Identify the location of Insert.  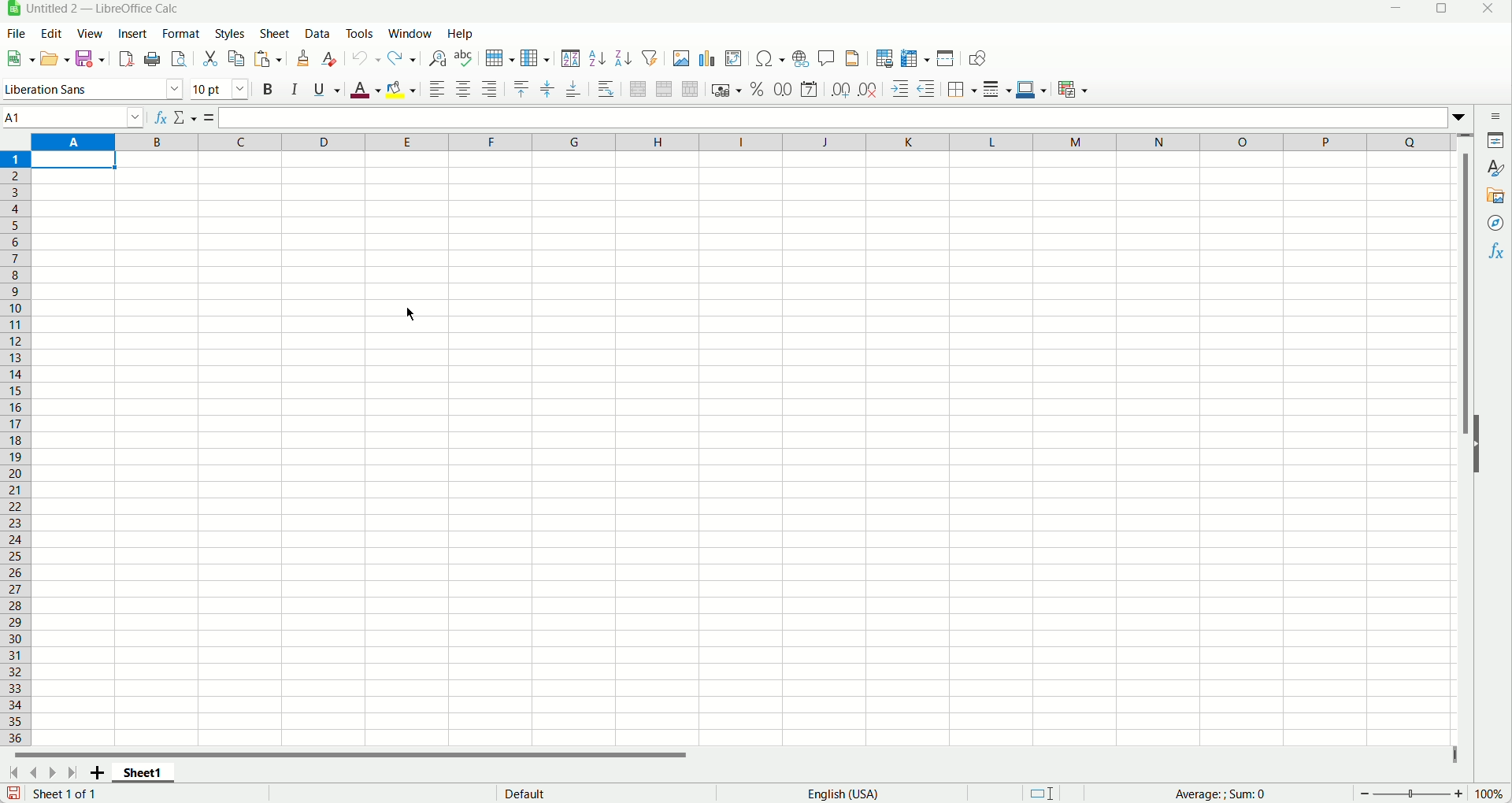
(134, 32).